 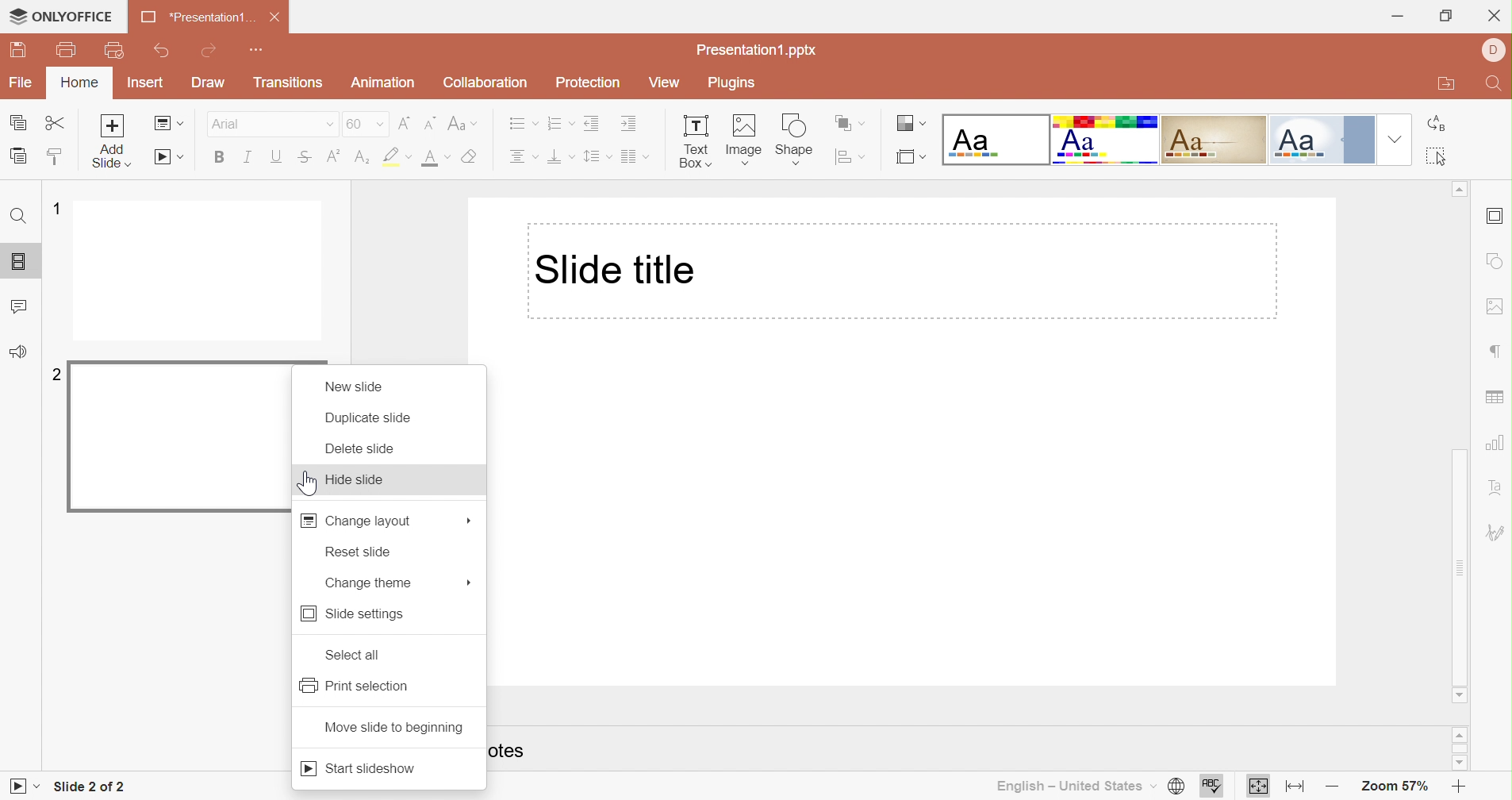 I want to click on Font, so click(x=240, y=126).